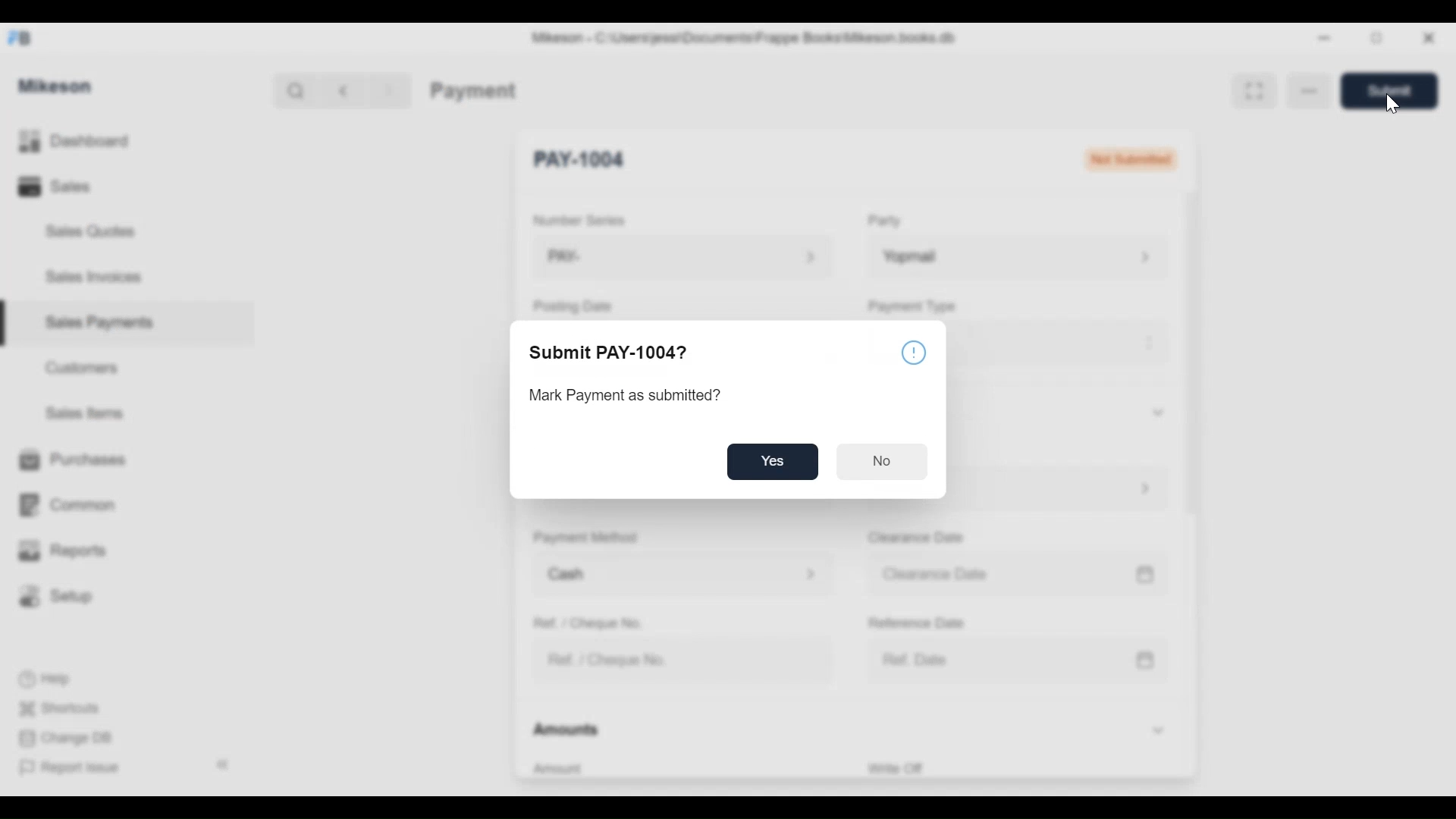 The image size is (1456, 819). I want to click on Setup, so click(61, 597).